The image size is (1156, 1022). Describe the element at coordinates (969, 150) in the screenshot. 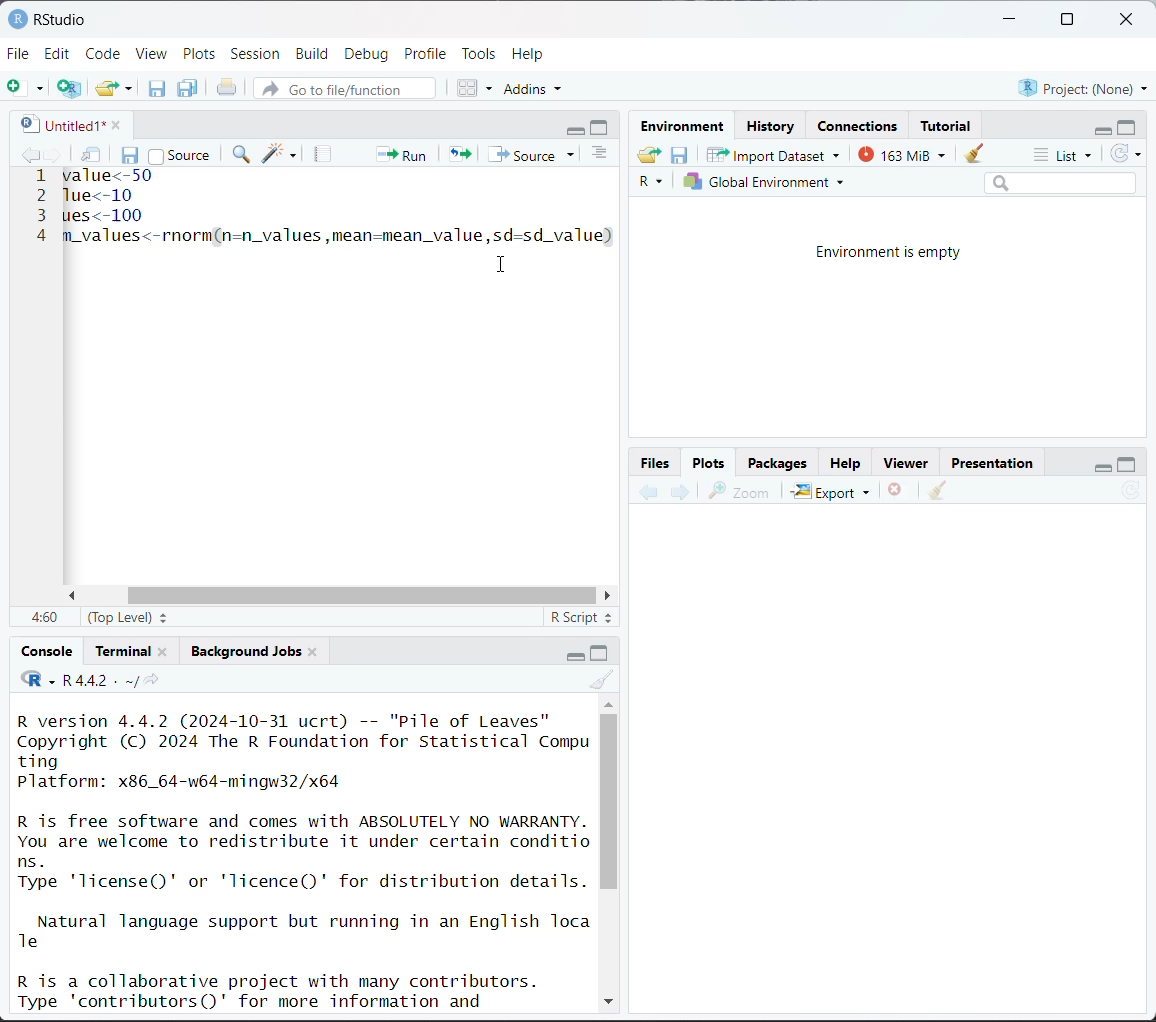

I see `clear objects from workspace` at that location.